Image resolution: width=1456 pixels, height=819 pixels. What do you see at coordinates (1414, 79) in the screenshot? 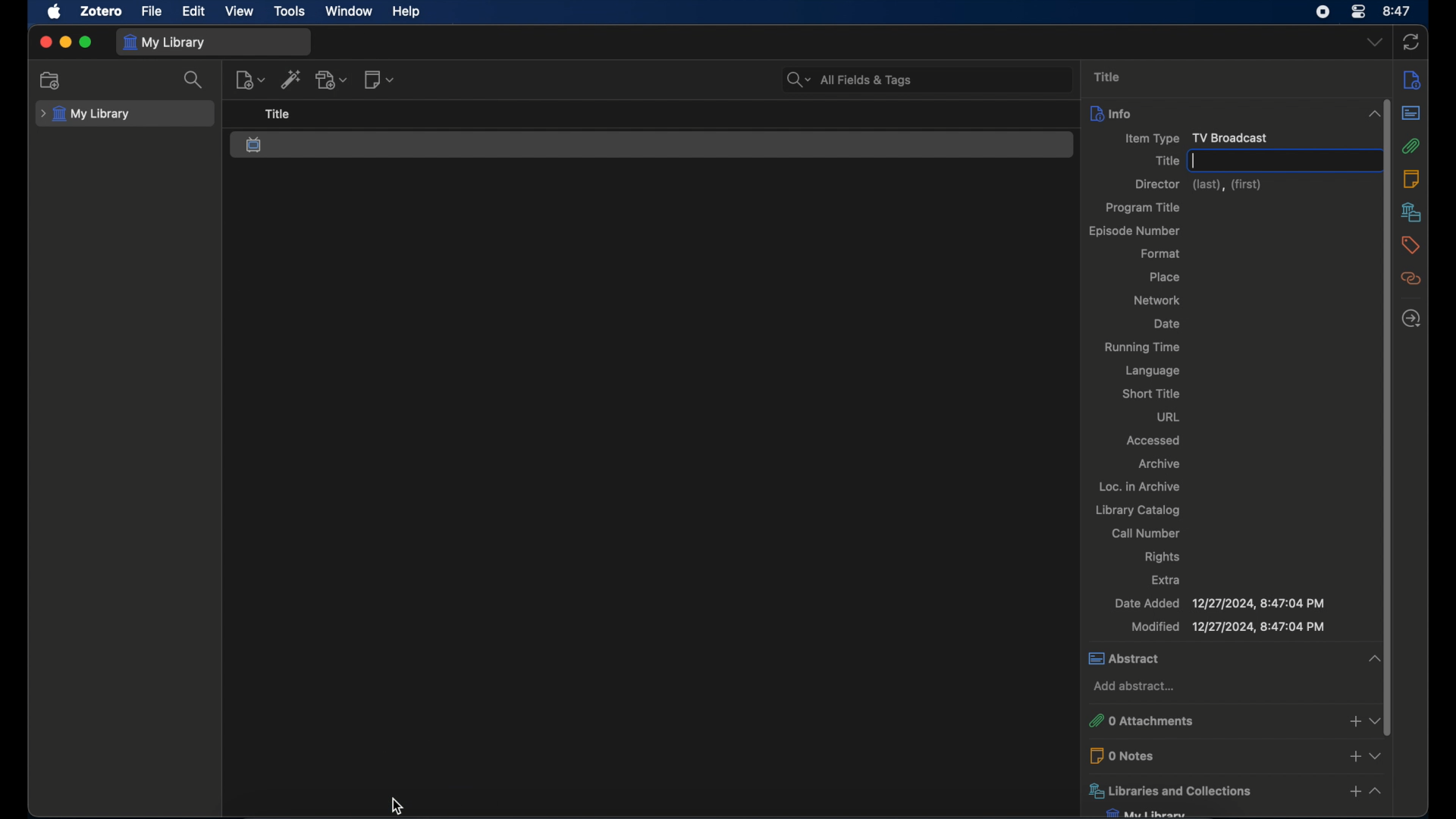
I see `info` at bounding box center [1414, 79].